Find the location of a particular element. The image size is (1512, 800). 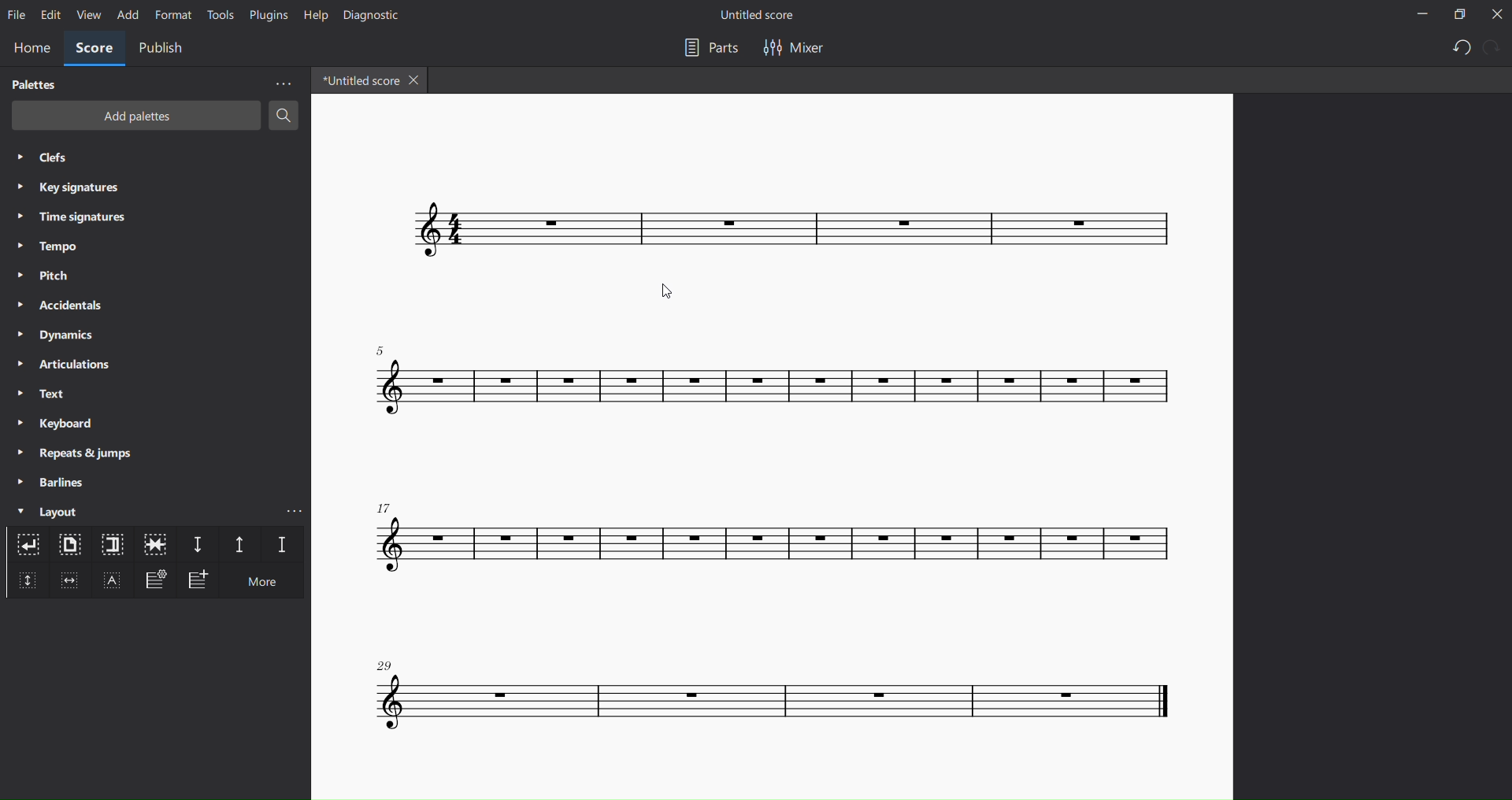

undo is located at coordinates (1455, 49).